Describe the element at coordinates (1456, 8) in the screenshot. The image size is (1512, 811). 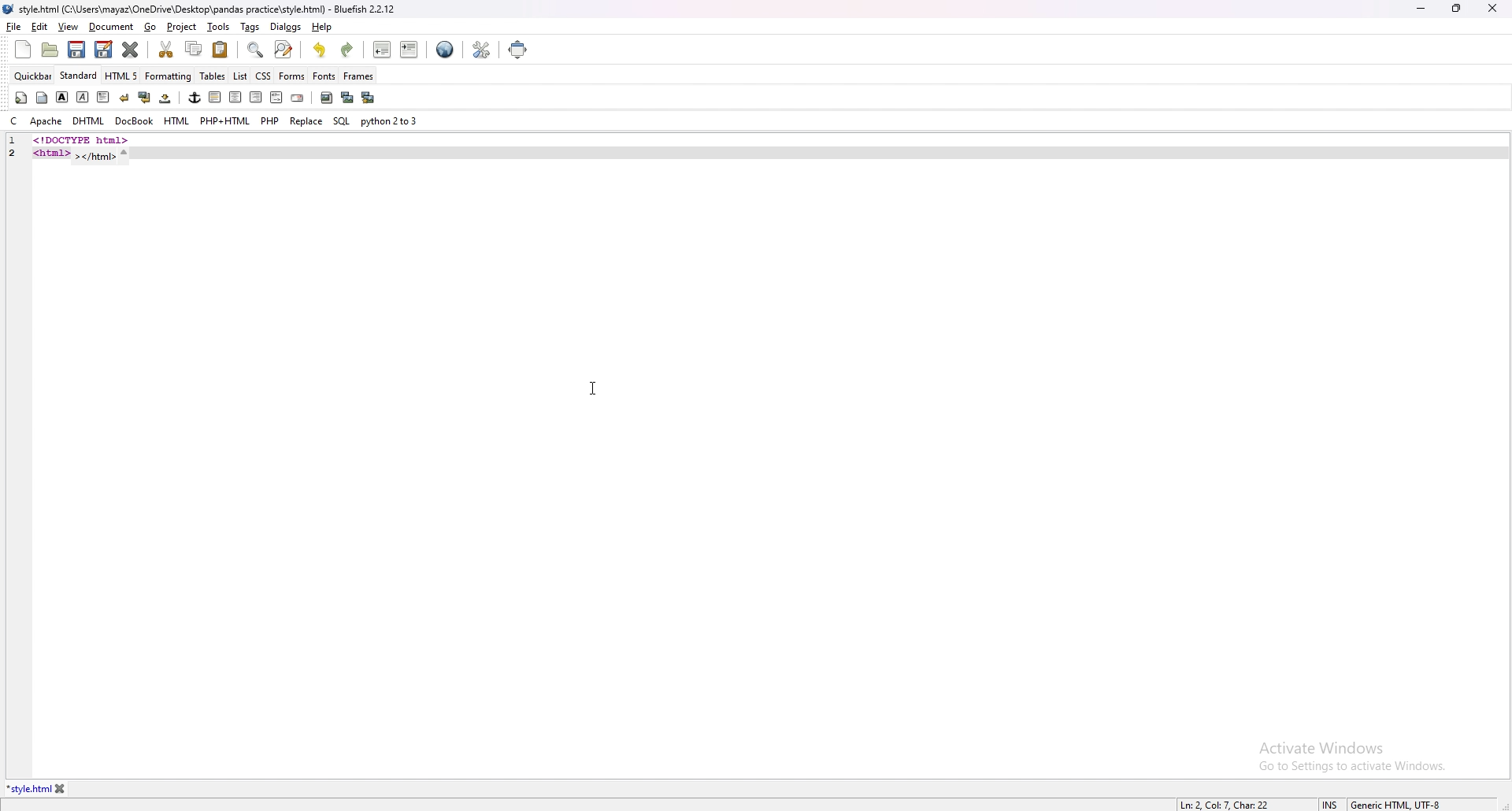
I see `resize` at that location.